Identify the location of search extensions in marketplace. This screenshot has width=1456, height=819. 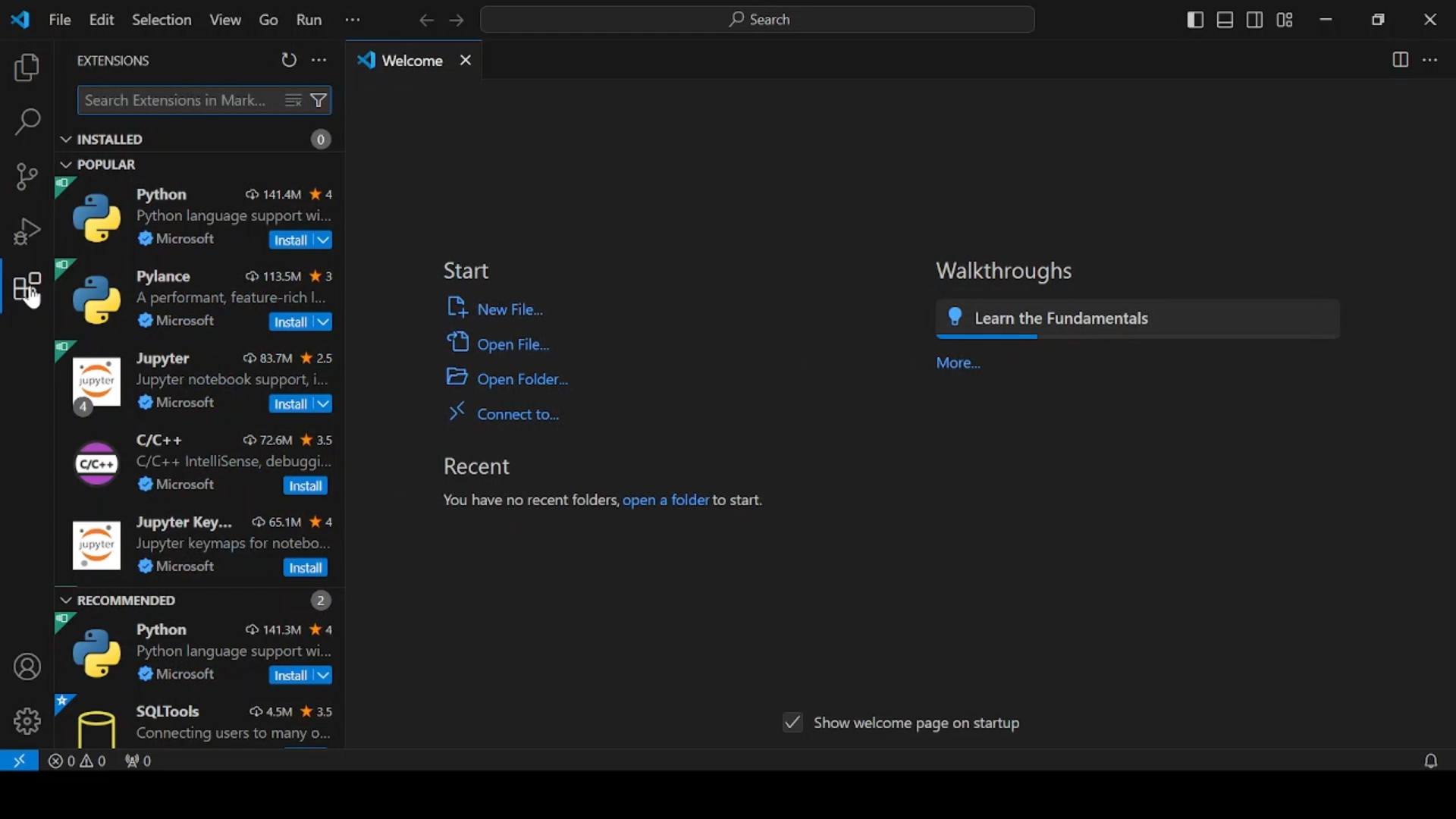
(202, 99).